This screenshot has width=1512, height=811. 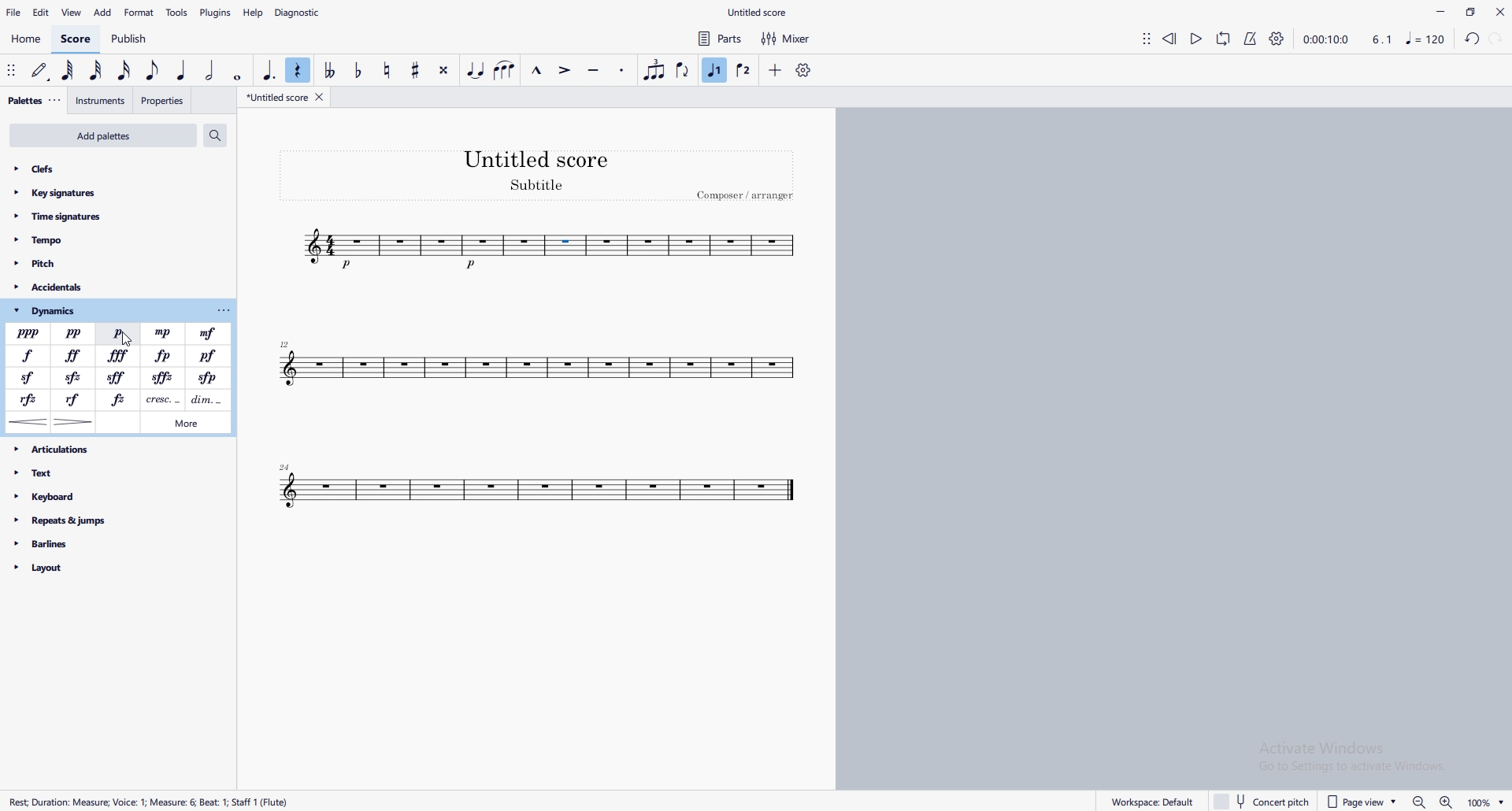 What do you see at coordinates (120, 401) in the screenshot?
I see `forzando` at bounding box center [120, 401].